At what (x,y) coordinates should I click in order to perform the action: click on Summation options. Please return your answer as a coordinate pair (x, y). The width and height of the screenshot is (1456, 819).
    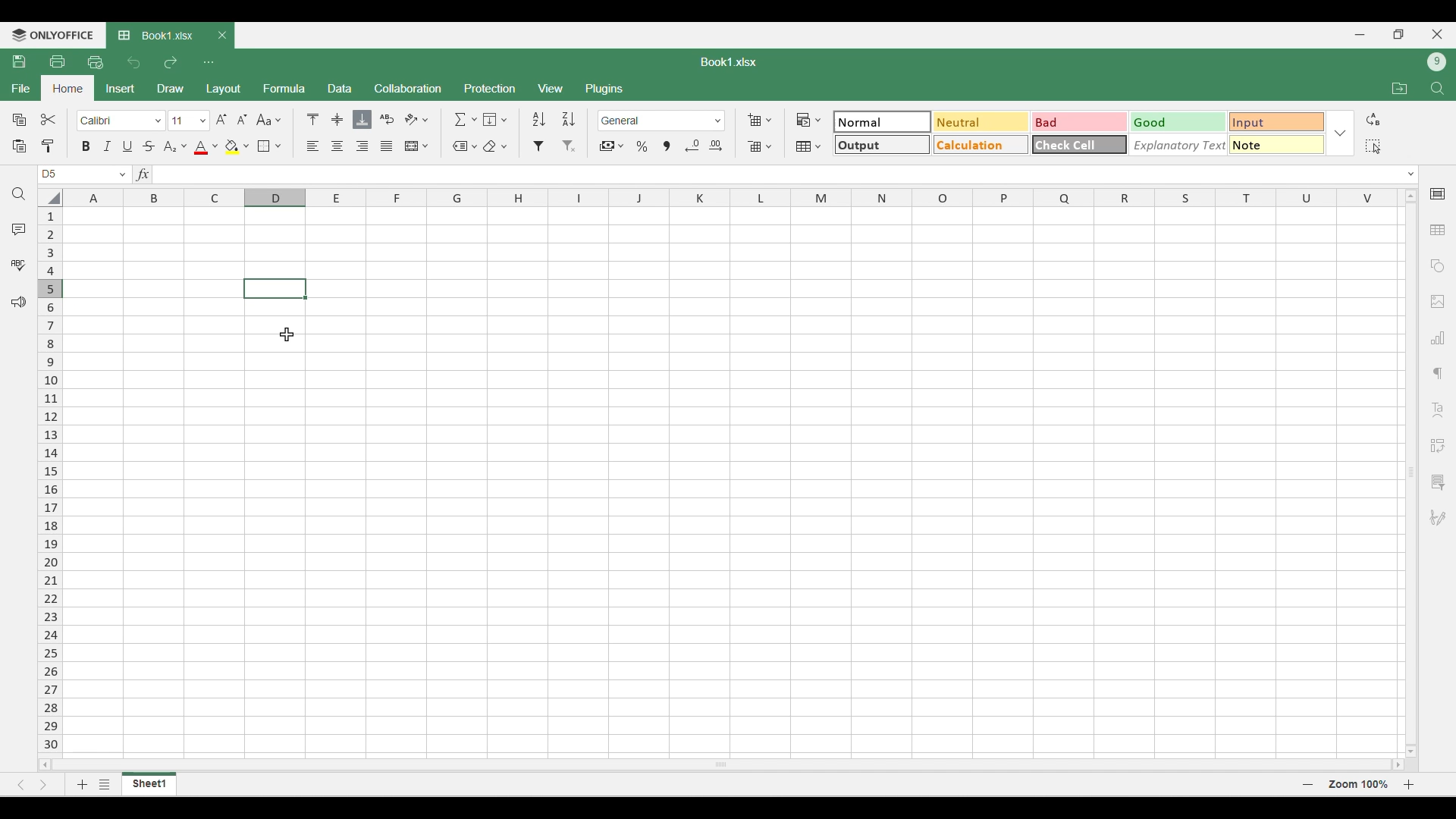
    Looking at the image, I should click on (466, 119).